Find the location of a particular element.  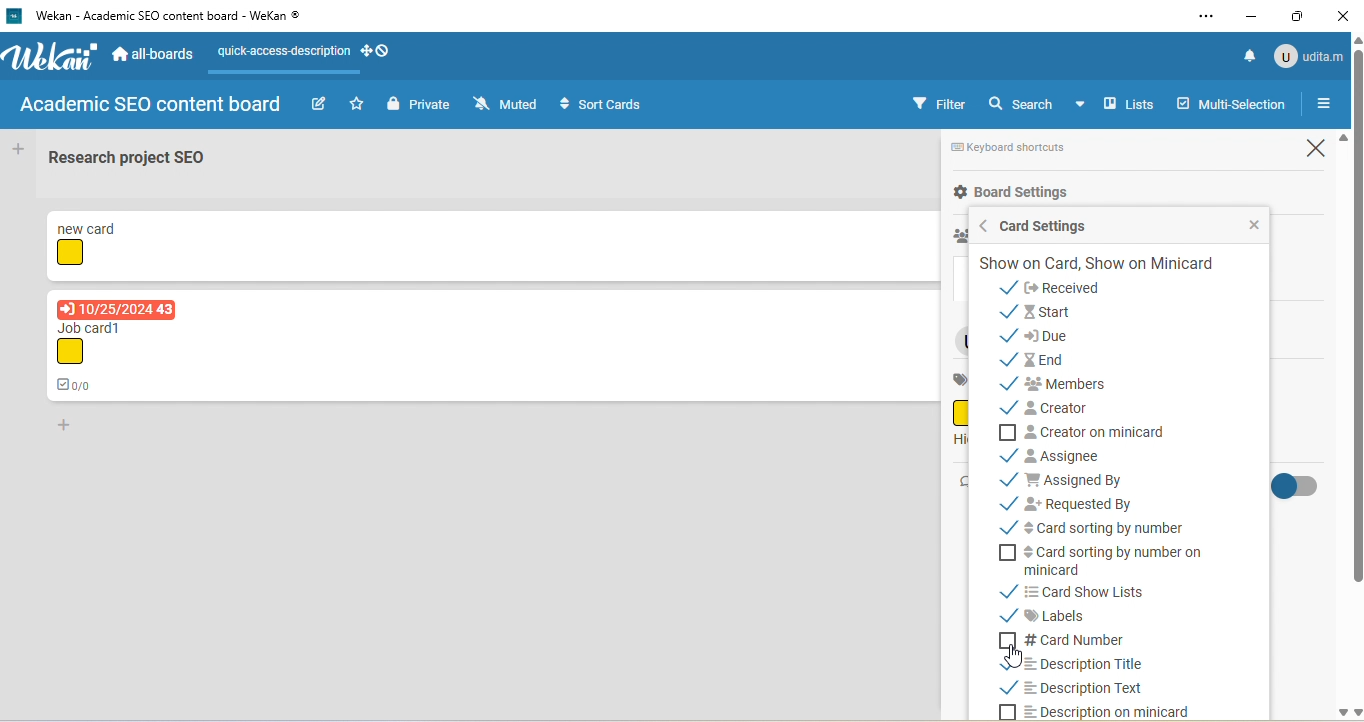

0/0 is located at coordinates (77, 384).